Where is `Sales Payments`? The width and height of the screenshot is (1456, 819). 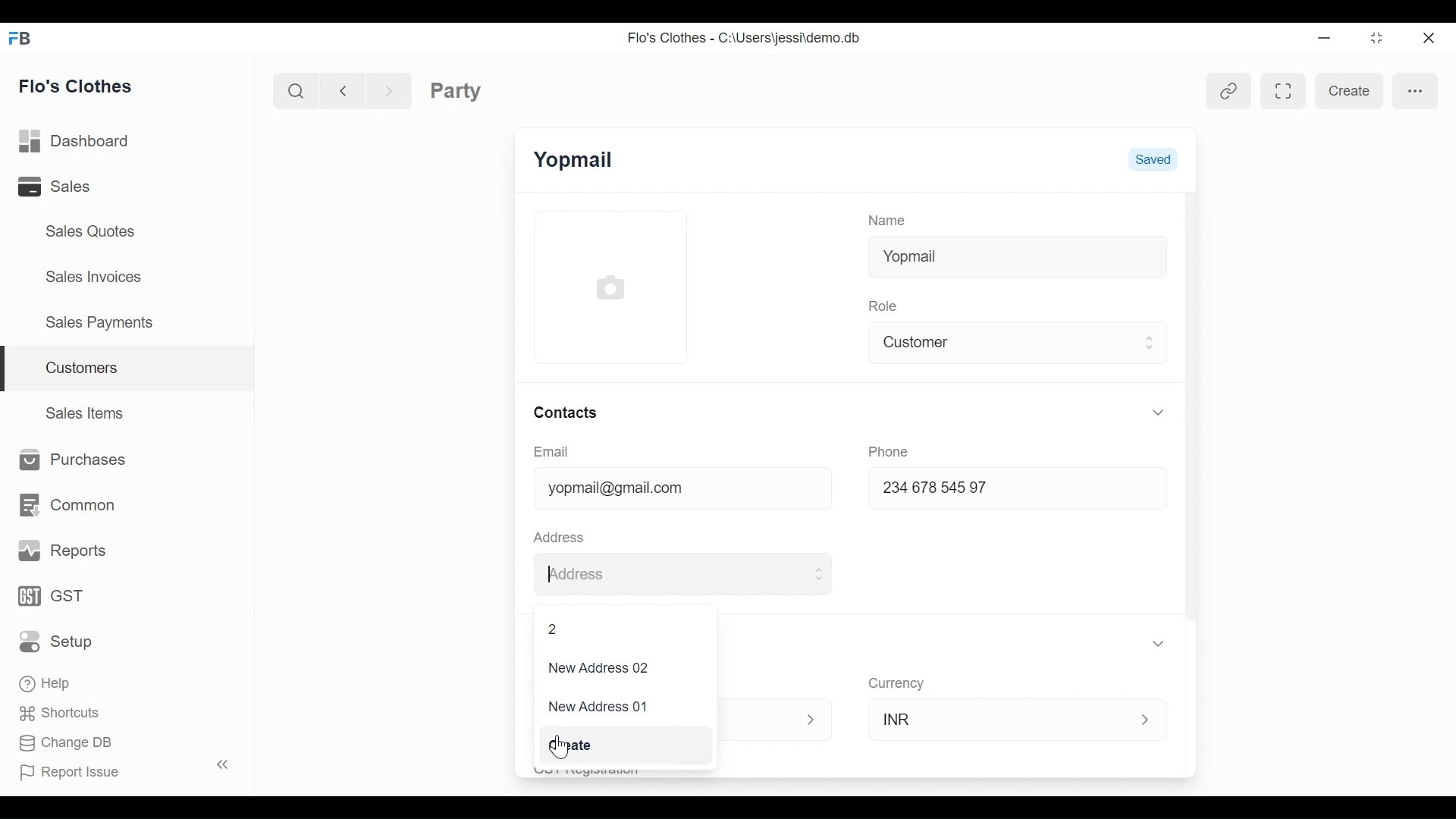 Sales Payments is located at coordinates (98, 322).